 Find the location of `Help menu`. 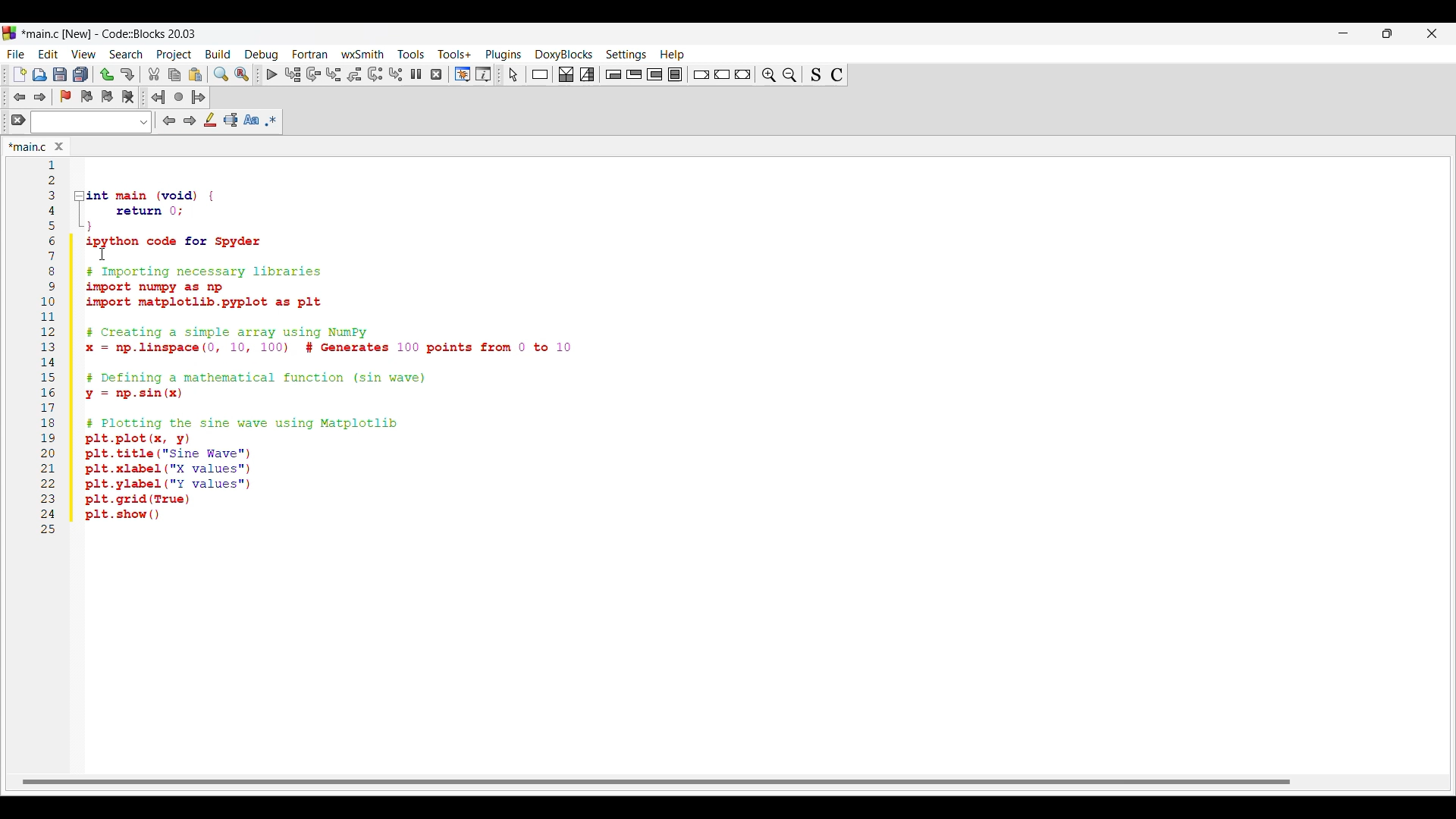

Help menu is located at coordinates (672, 55).